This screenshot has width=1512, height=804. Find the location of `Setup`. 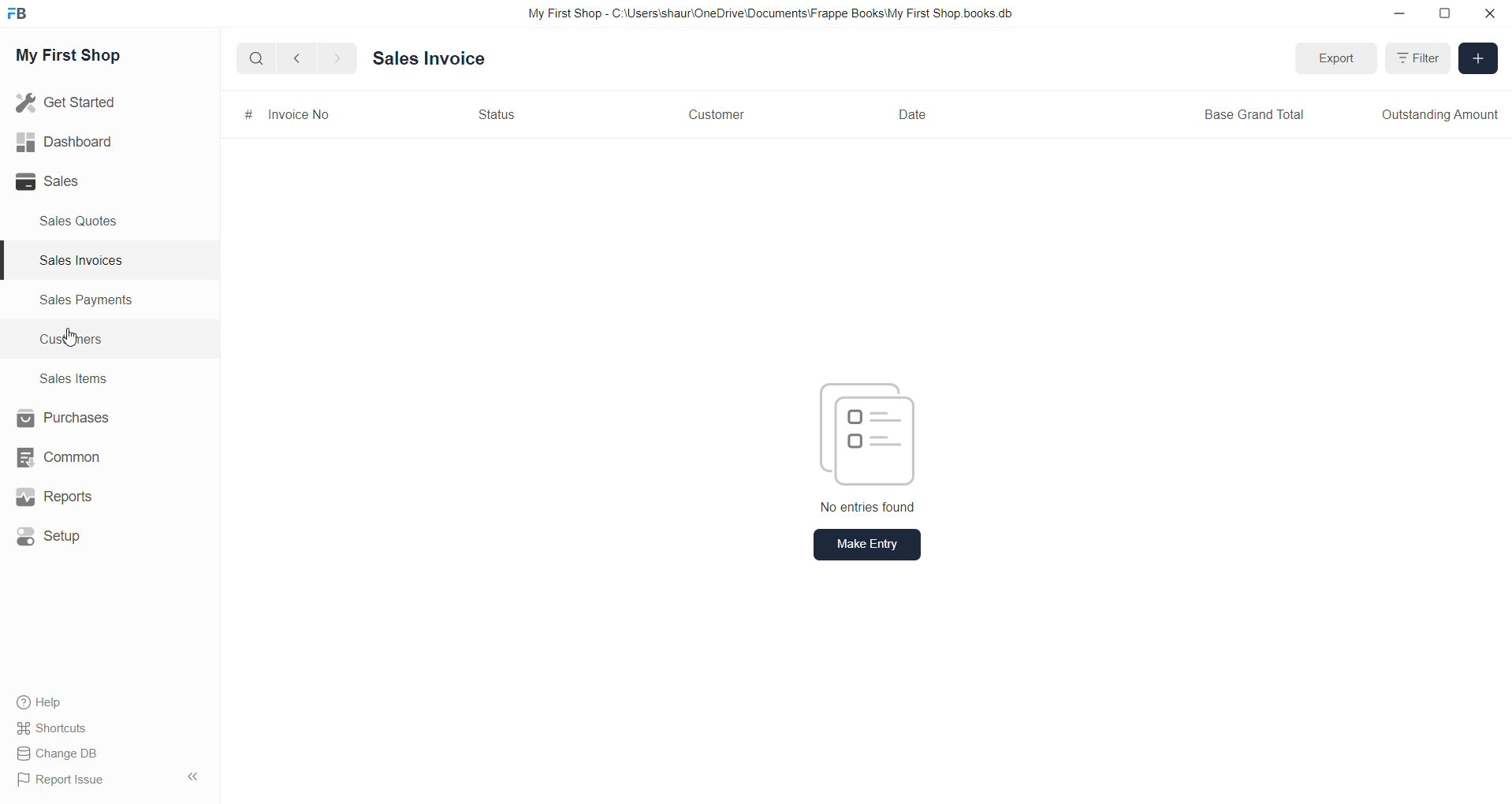

Setup is located at coordinates (53, 534).